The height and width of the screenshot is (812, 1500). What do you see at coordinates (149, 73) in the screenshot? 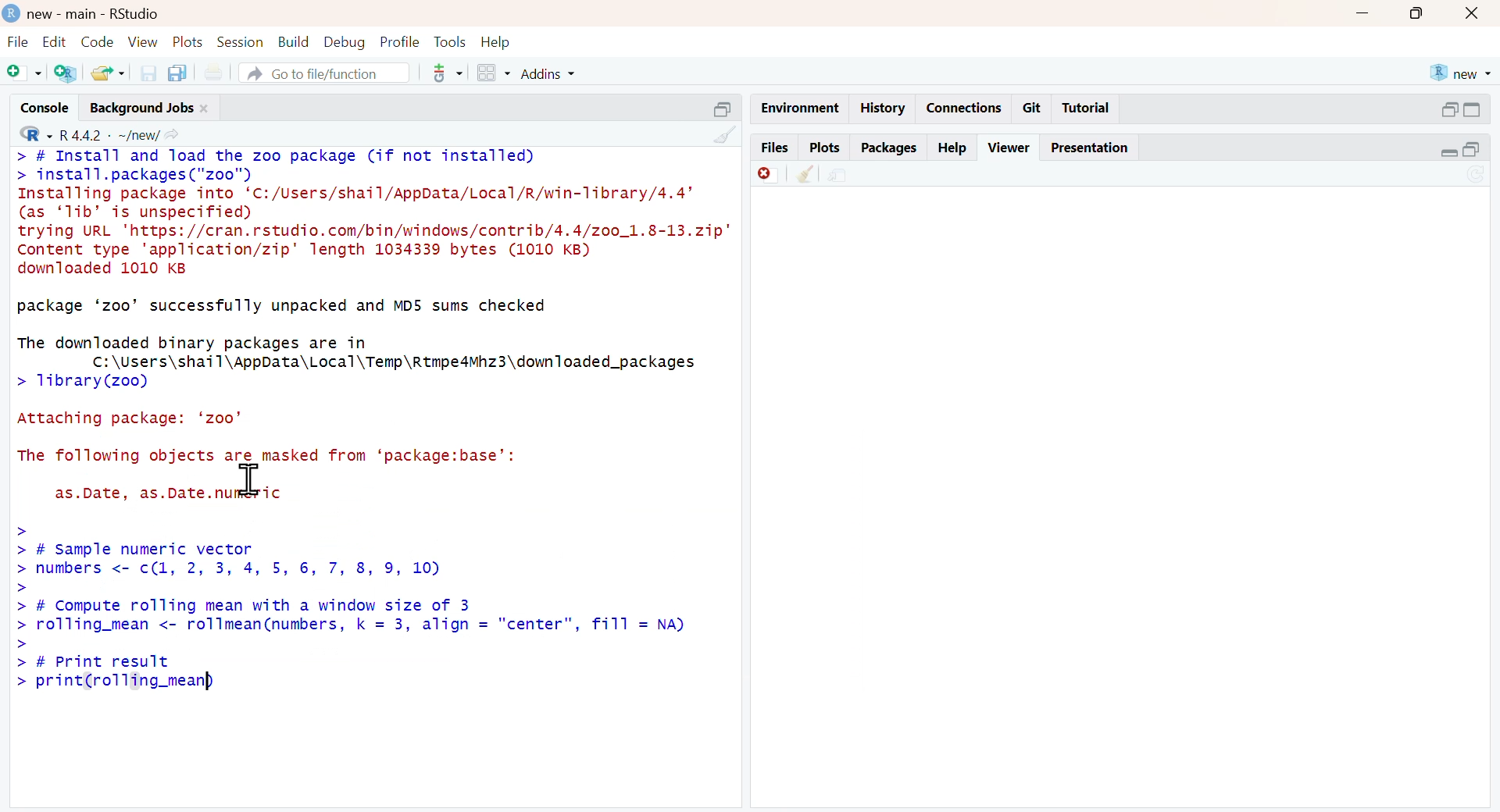
I see `save` at bounding box center [149, 73].